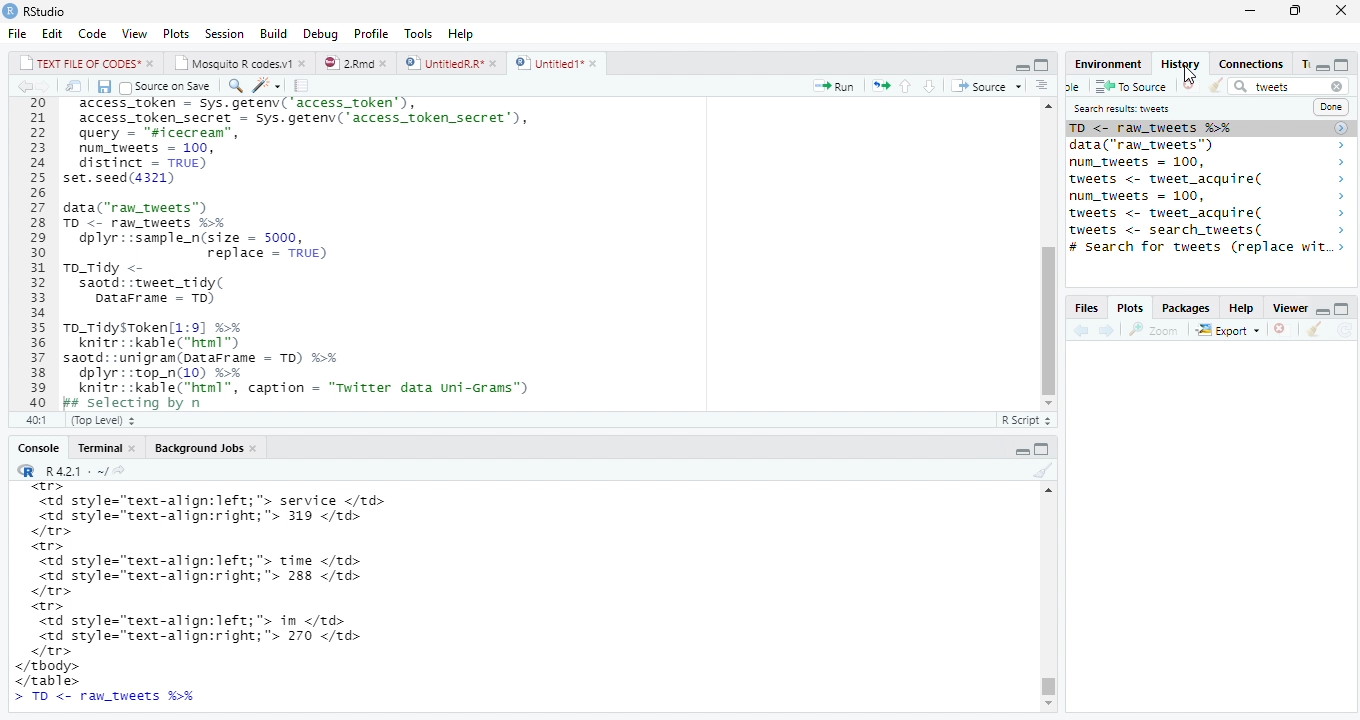 The height and width of the screenshot is (720, 1360). What do you see at coordinates (1316, 330) in the screenshot?
I see `clear console` at bounding box center [1316, 330].